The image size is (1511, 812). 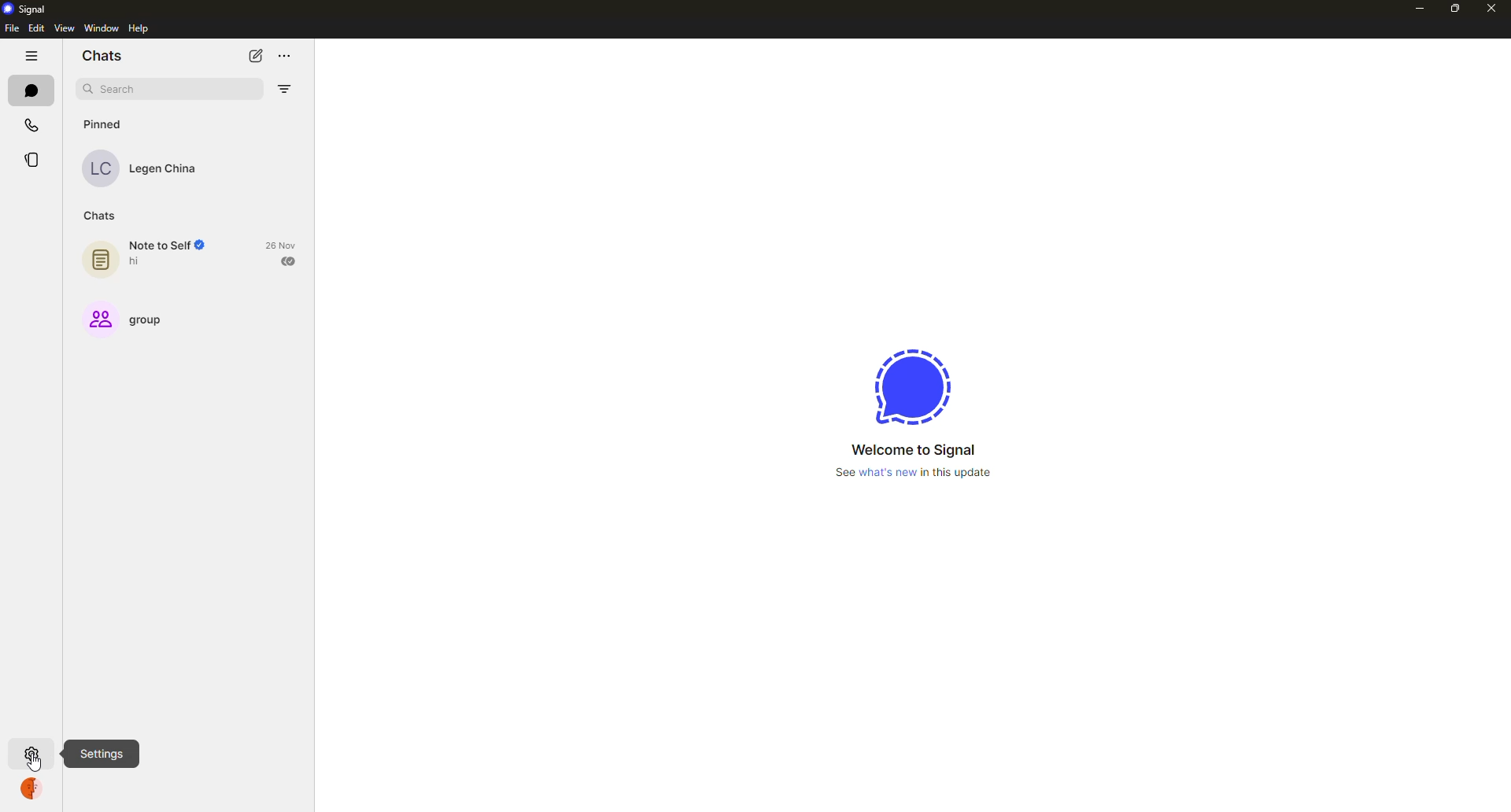 What do you see at coordinates (105, 124) in the screenshot?
I see `pinned` at bounding box center [105, 124].